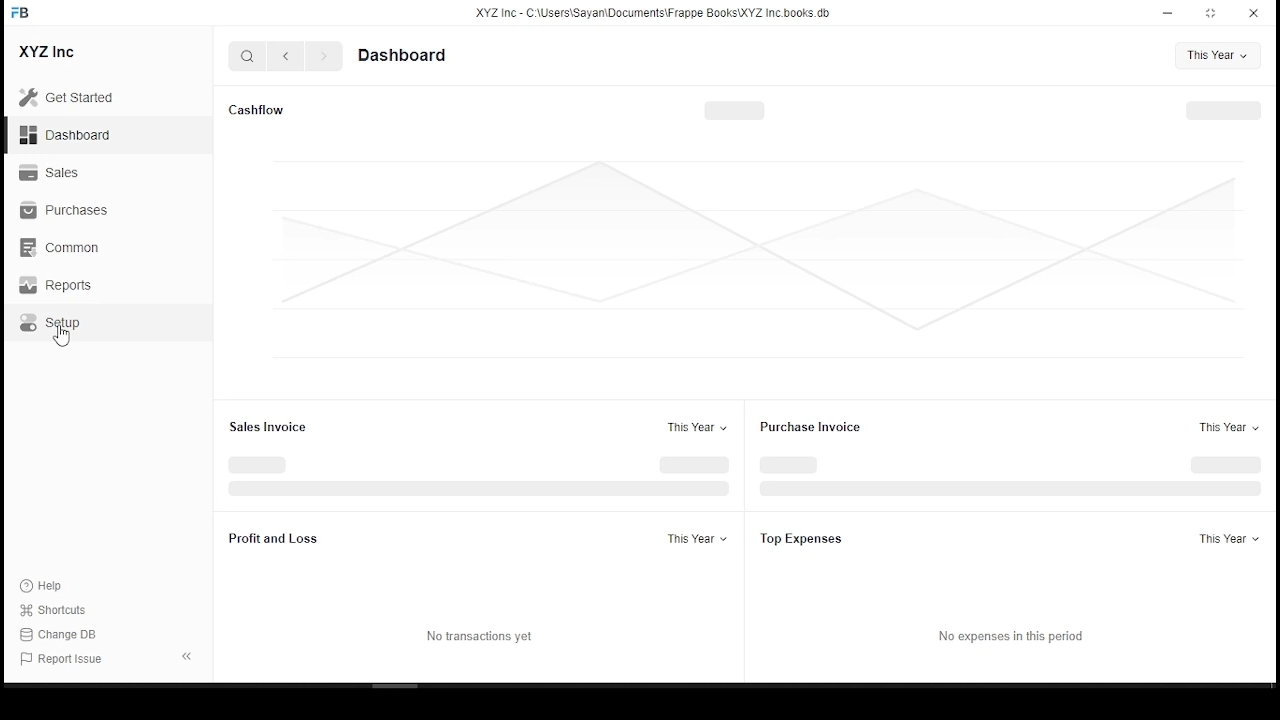 The height and width of the screenshot is (720, 1280). What do you see at coordinates (61, 247) in the screenshot?
I see `Common` at bounding box center [61, 247].